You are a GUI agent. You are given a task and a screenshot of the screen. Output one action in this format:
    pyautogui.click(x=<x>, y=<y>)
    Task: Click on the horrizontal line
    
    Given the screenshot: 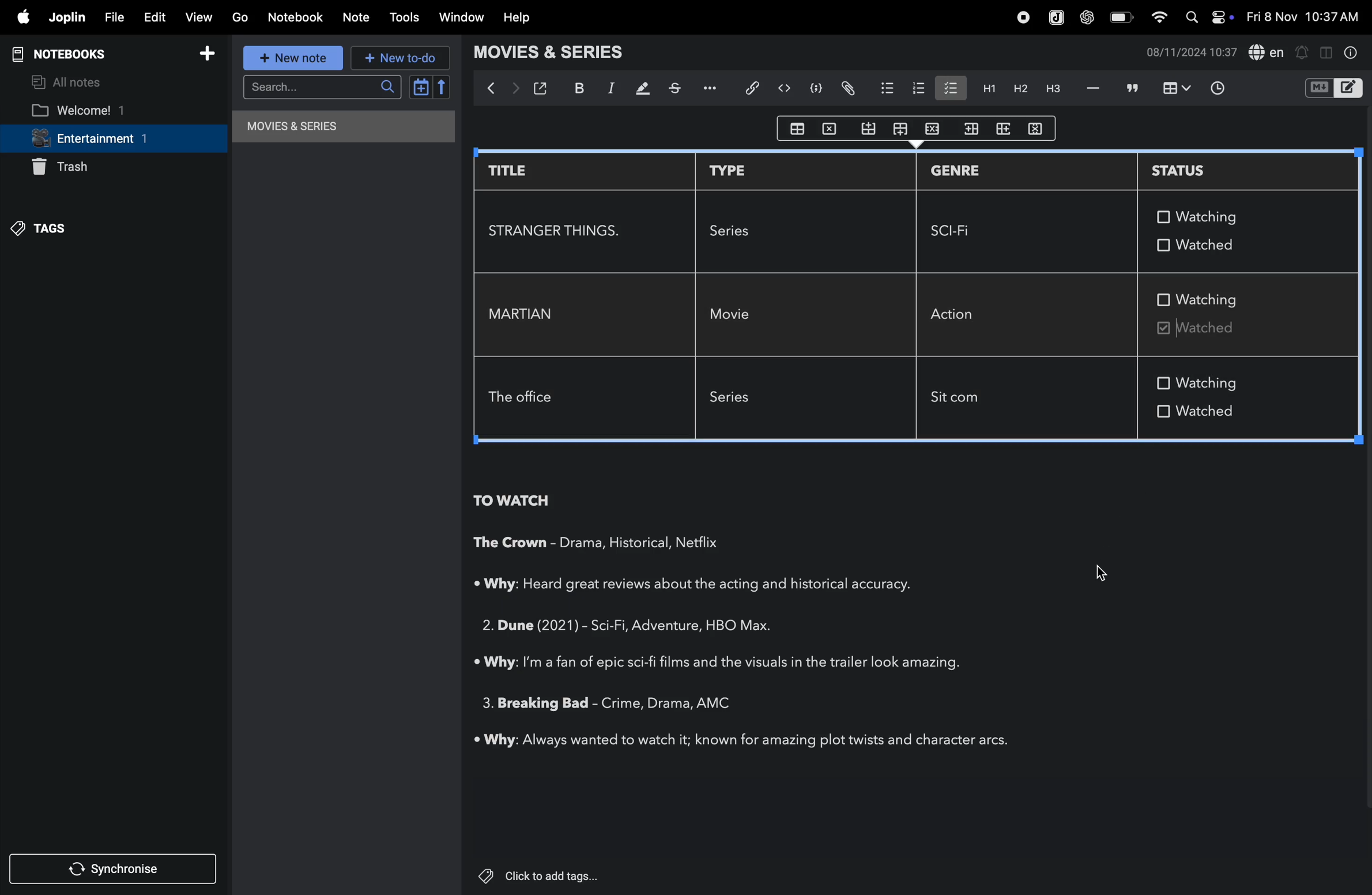 What is the action you would take?
    pyautogui.click(x=1092, y=89)
    